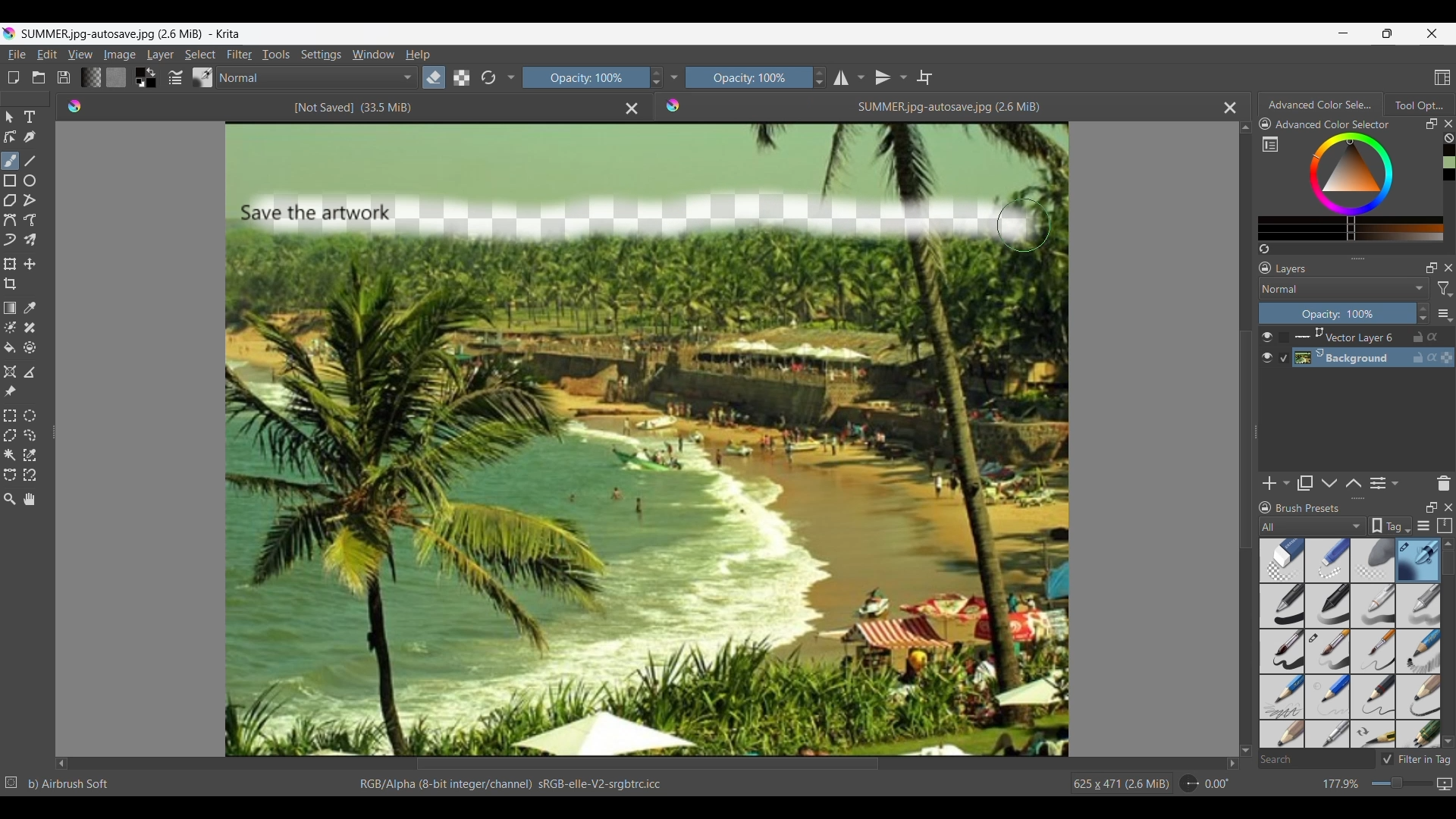 This screenshot has height=819, width=1456. What do you see at coordinates (175, 77) in the screenshot?
I see `Edit brush settings` at bounding box center [175, 77].